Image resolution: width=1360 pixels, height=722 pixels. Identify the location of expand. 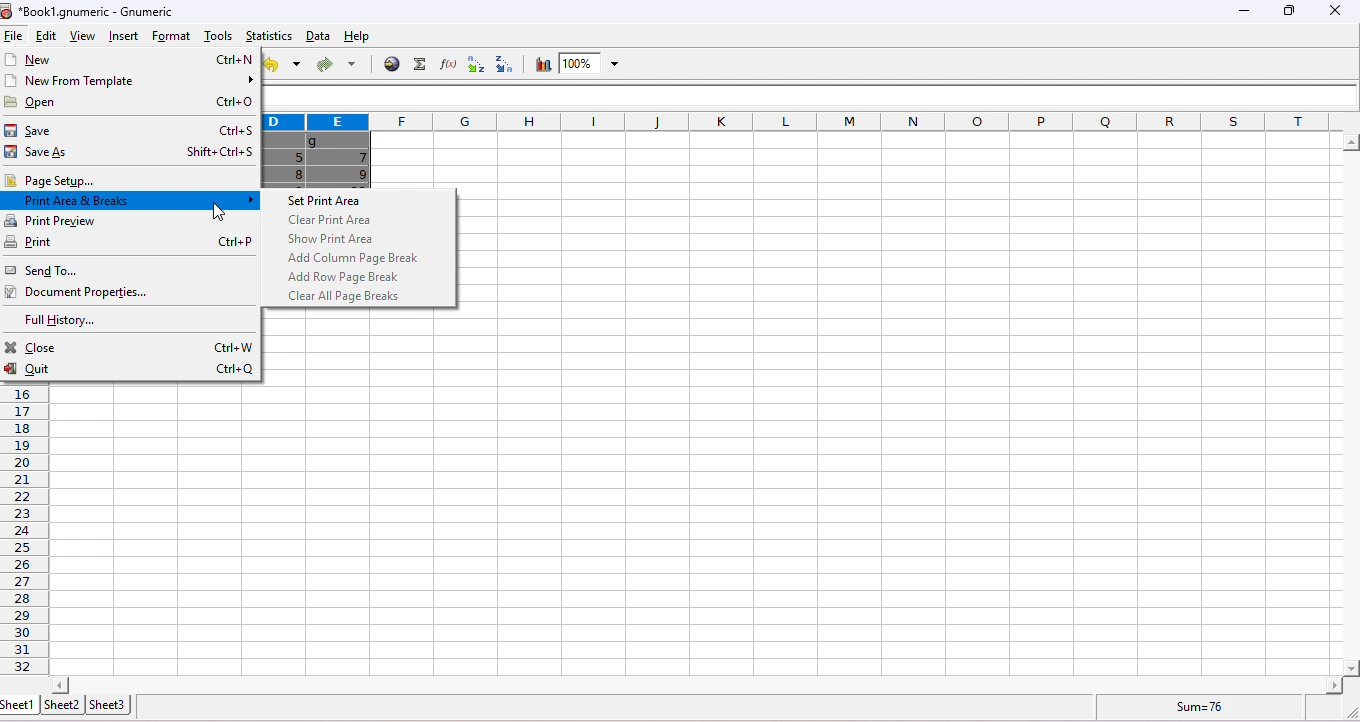
(1345, 711).